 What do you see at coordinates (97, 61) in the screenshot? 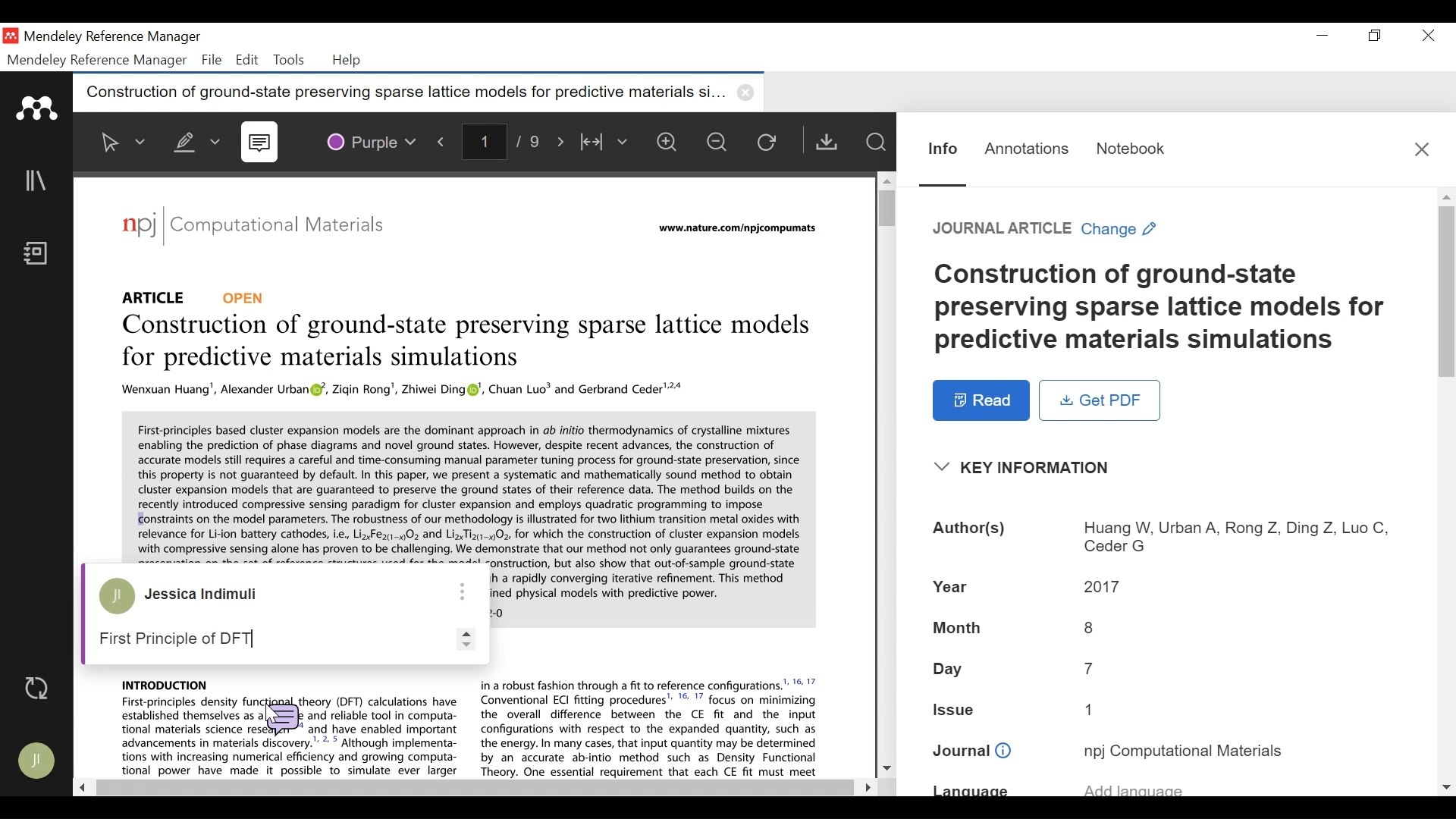
I see `Mendeley Reference Manager` at bounding box center [97, 61].